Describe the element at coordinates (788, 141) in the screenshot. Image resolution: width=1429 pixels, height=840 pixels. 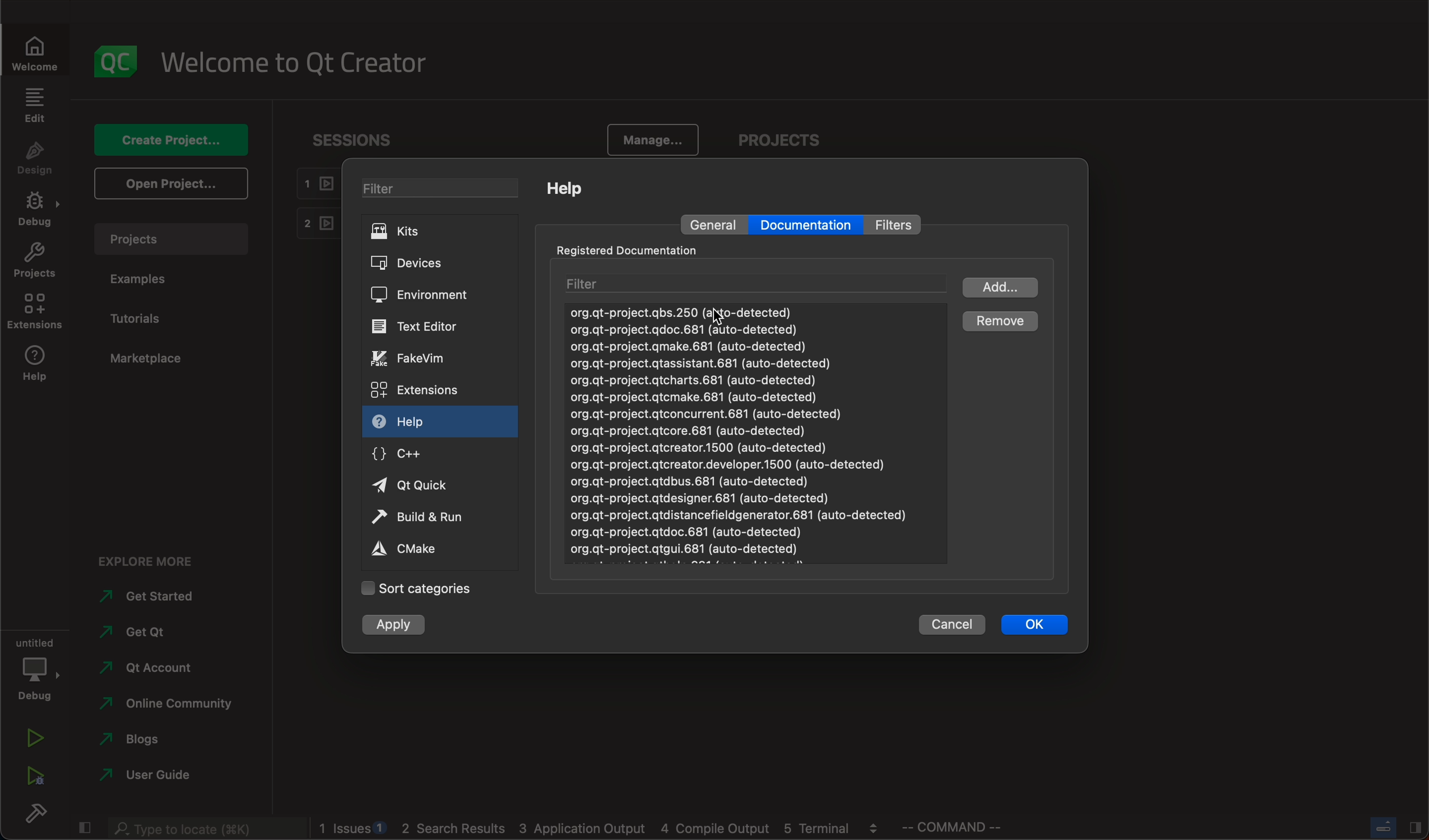
I see `projects` at that location.